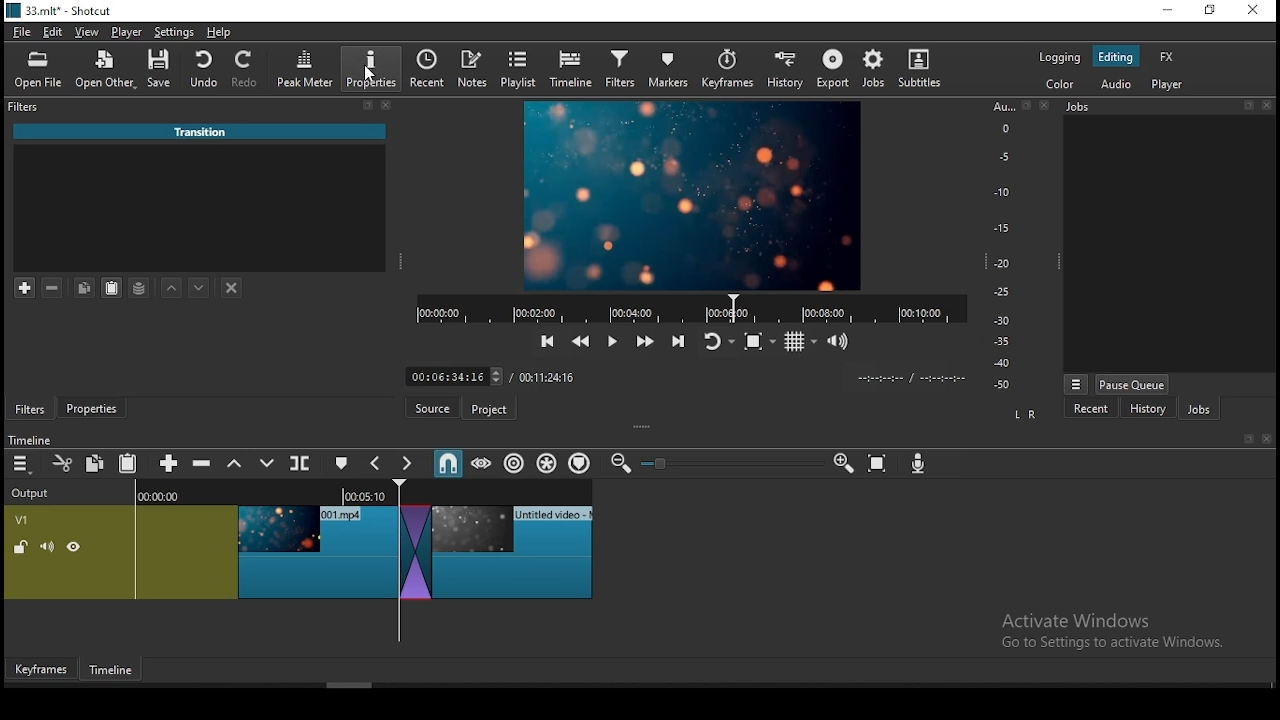 Image resolution: width=1280 pixels, height=720 pixels. Describe the element at coordinates (662, 464) in the screenshot. I see `` at that location.